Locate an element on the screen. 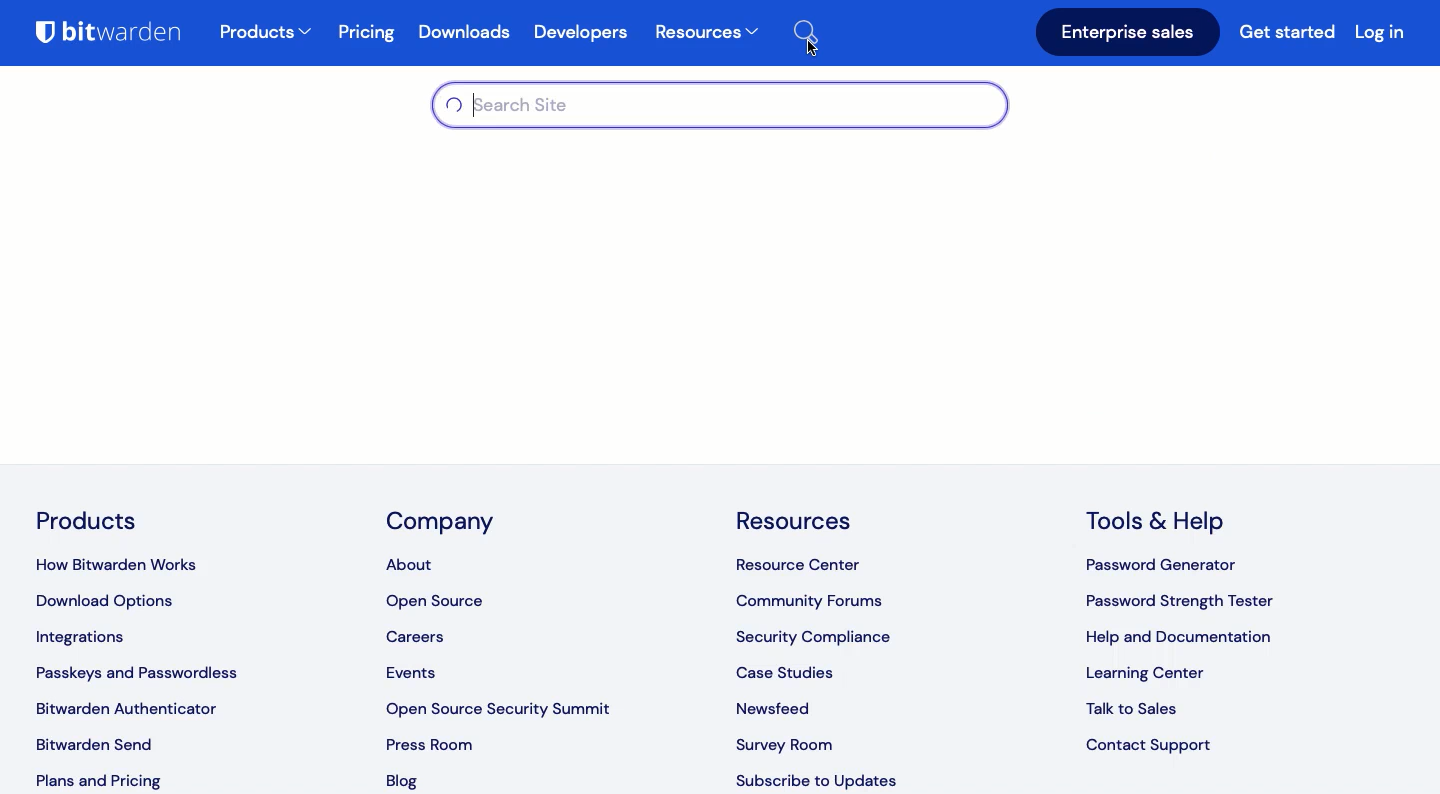 The height and width of the screenshot is (794, 1440). about is located at coordinates (410, 560).